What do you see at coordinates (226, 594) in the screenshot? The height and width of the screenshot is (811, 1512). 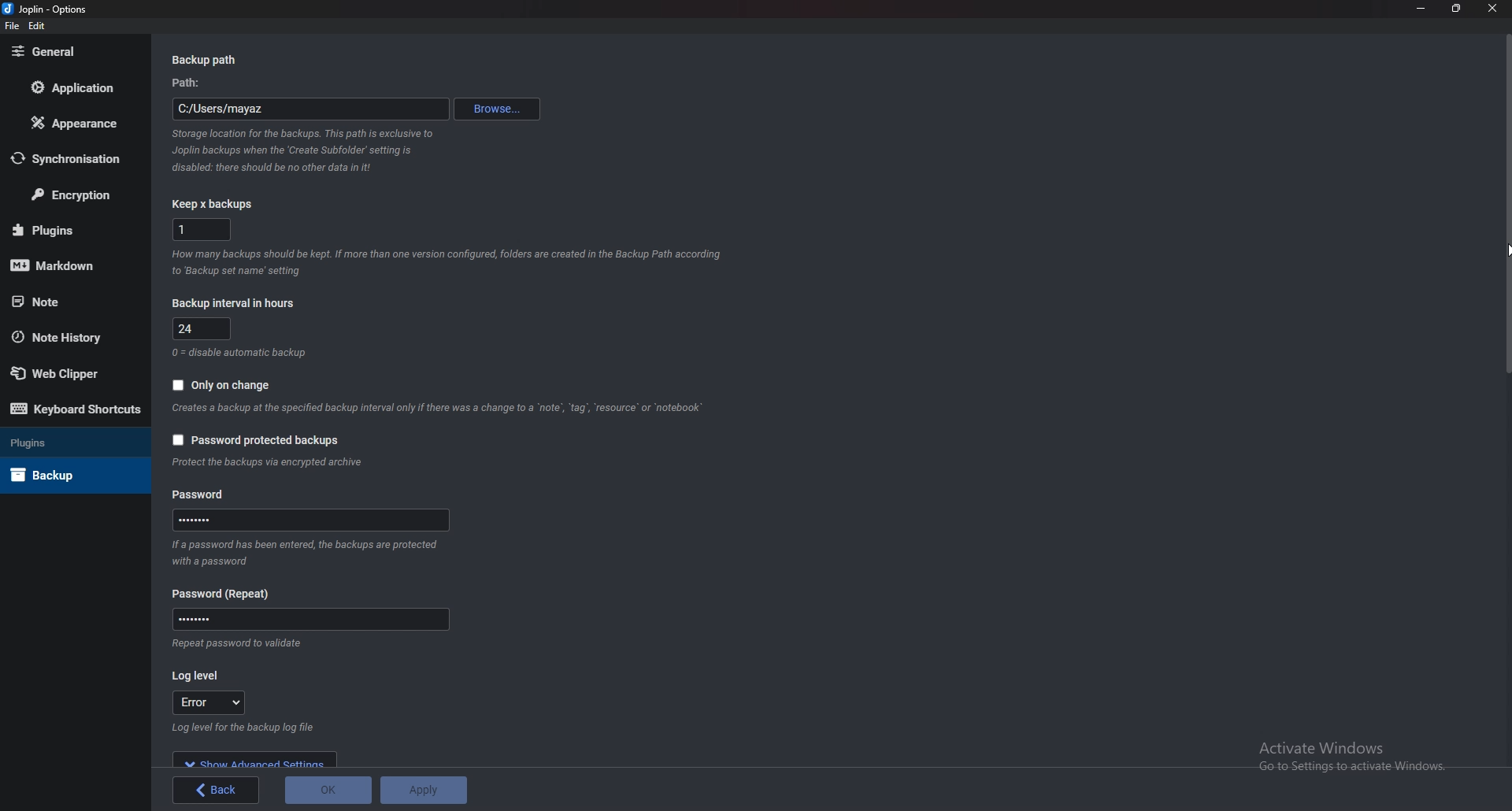 I see `Password` at bounding box center [226, 594].